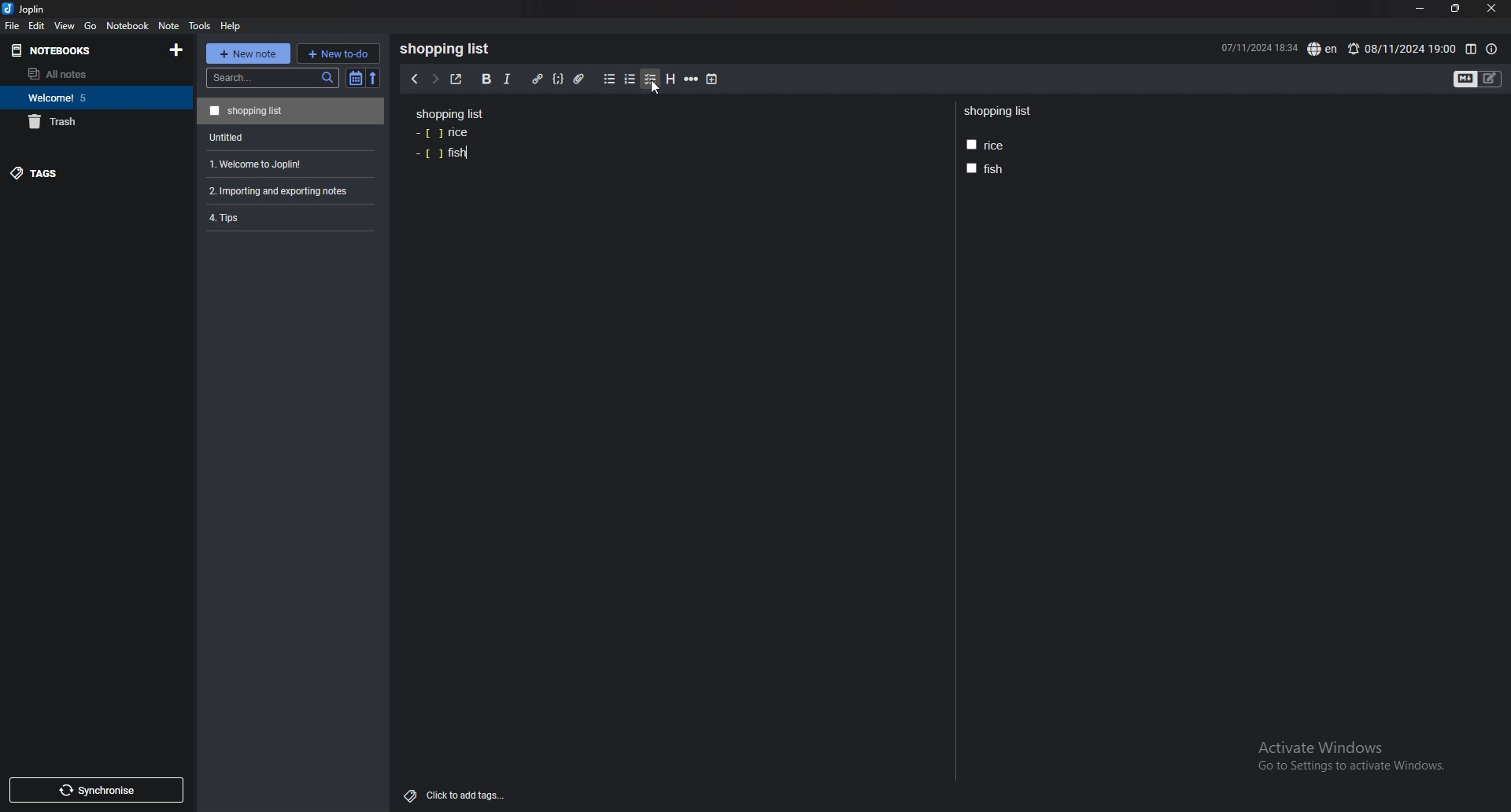 The width and height of the screenshot is (1511, 812). I want to click on all notes, so click(89, 74).